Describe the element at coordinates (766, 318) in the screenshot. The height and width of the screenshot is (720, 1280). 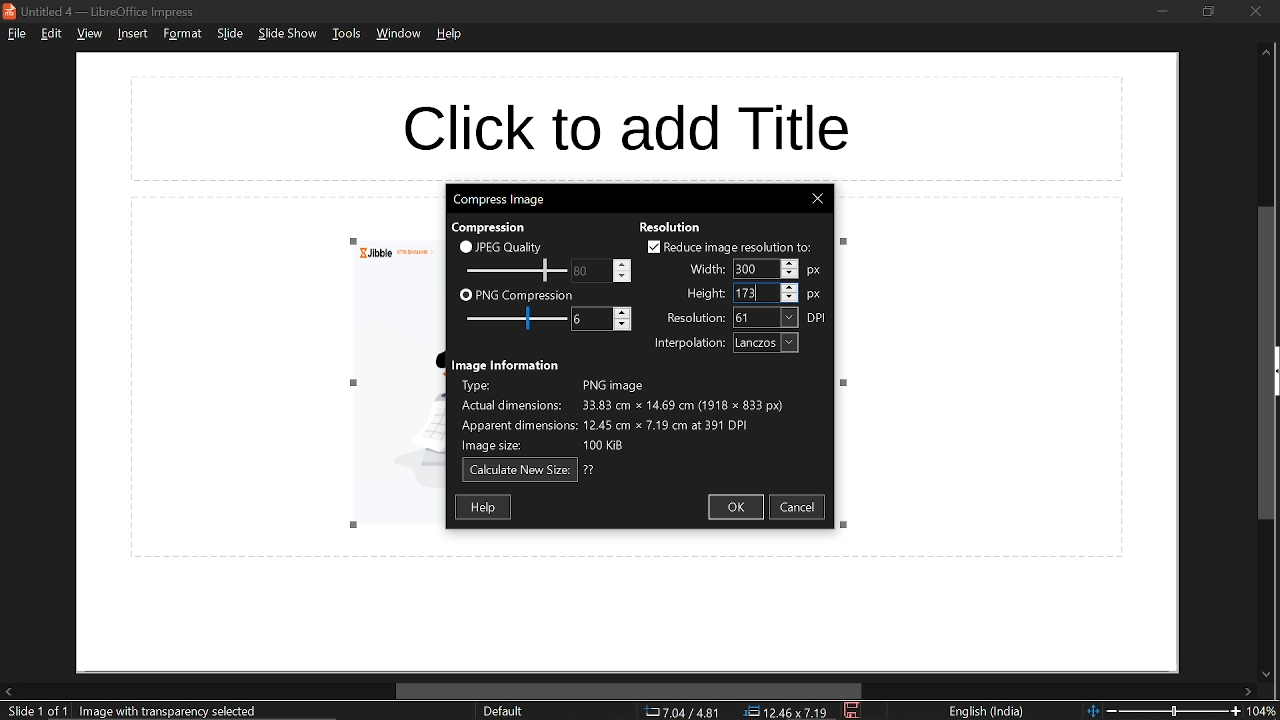
I see `resolution` at that location.